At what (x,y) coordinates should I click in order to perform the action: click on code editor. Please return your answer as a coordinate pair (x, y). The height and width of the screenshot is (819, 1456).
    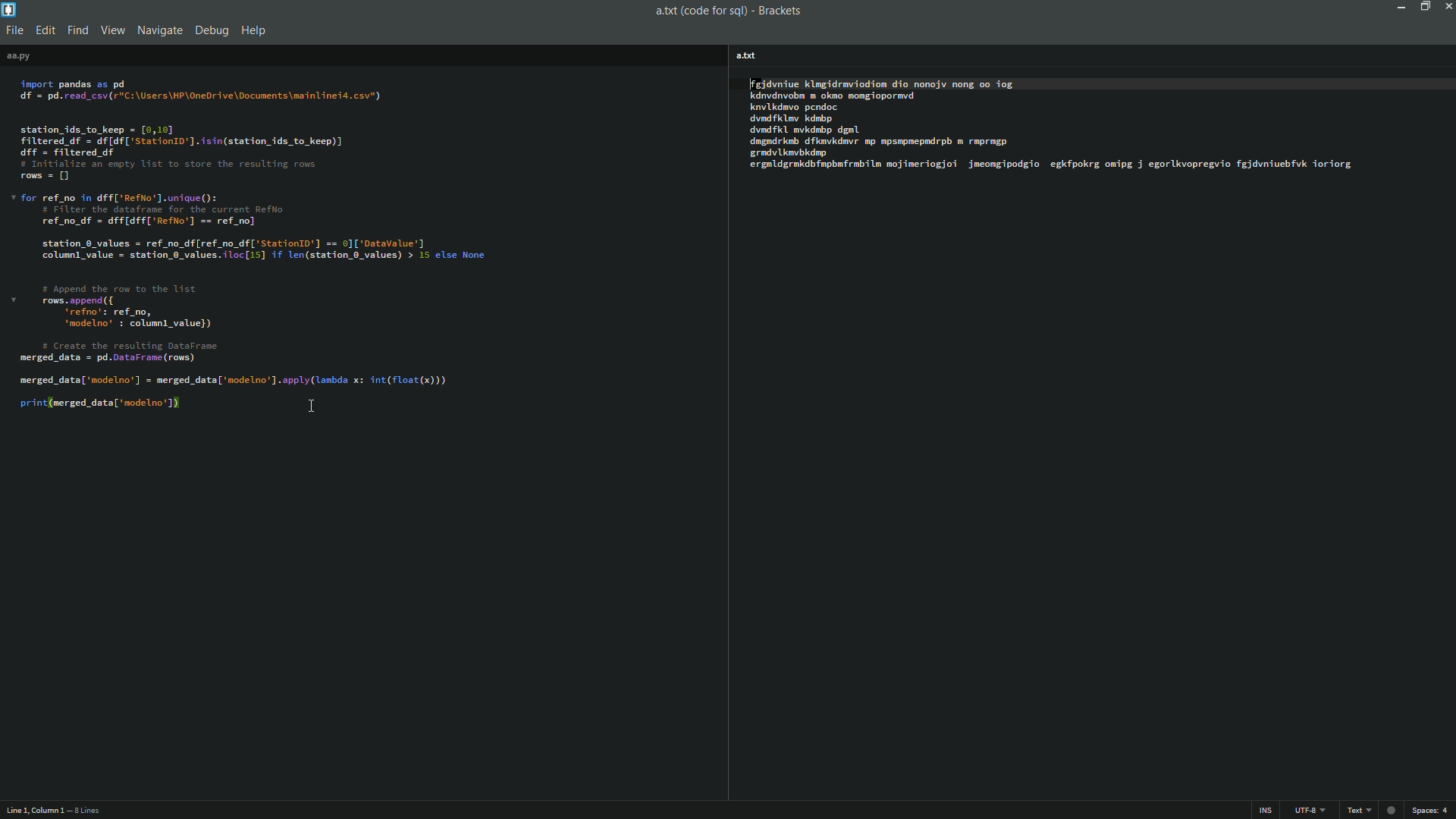
    Looking at the image, I should click on (1059, 126).